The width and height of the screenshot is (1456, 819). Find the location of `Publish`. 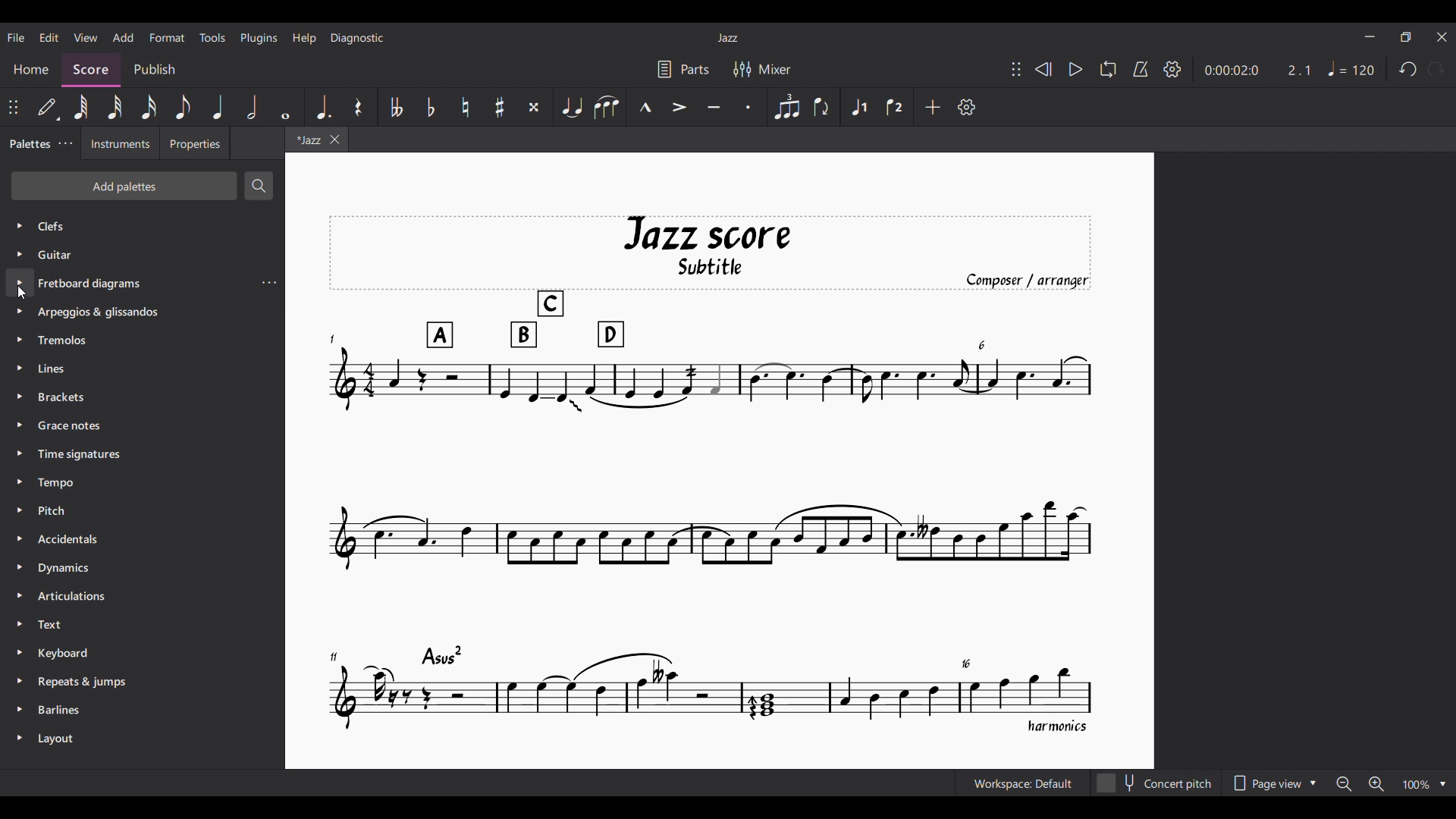

Publish is located at coordinates (154, 70).